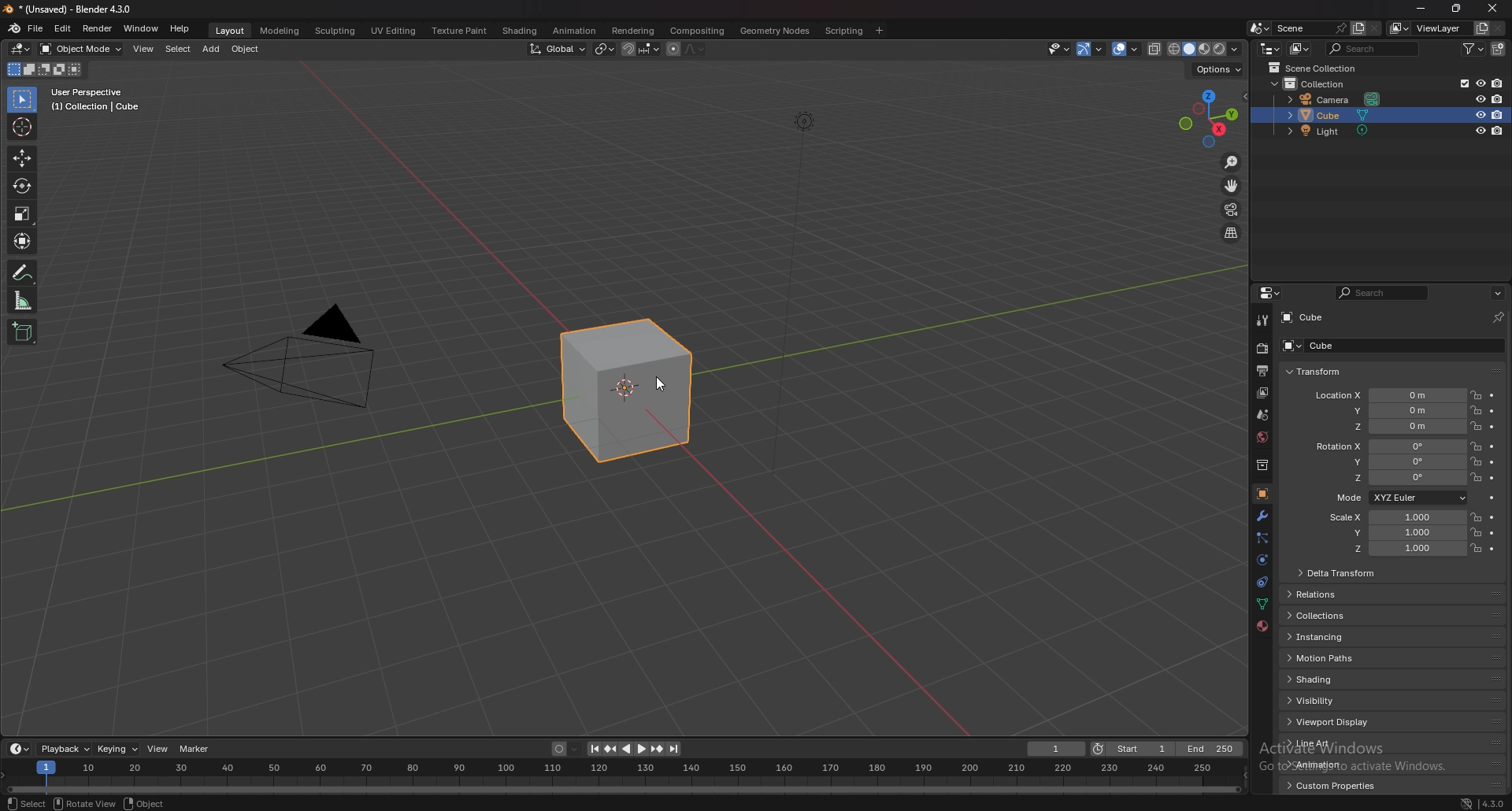 The image size is (1512, 811). I want to click on editor type, so click(19, 749).